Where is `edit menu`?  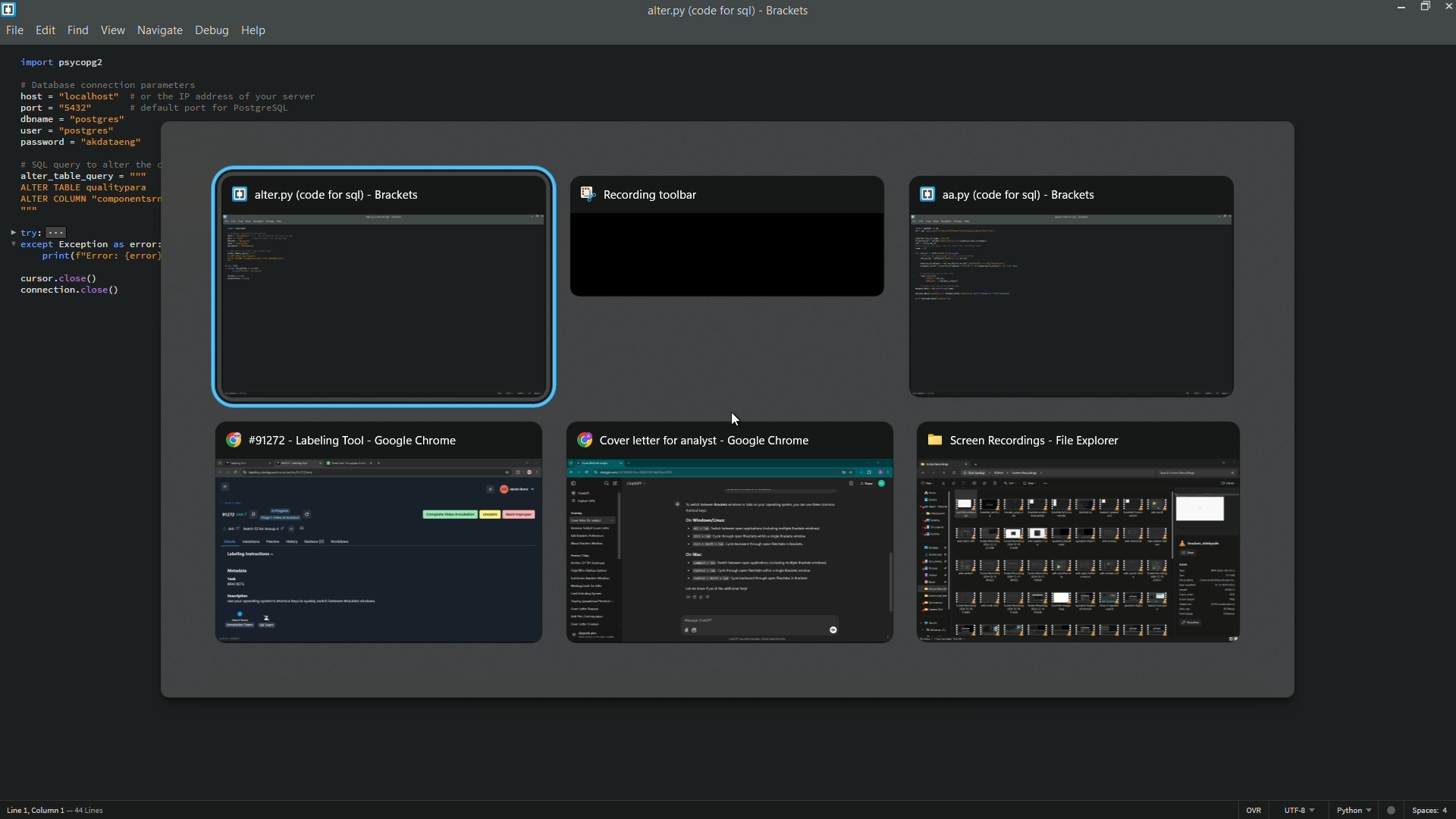 edit menu is located at coordinates (45, 31).